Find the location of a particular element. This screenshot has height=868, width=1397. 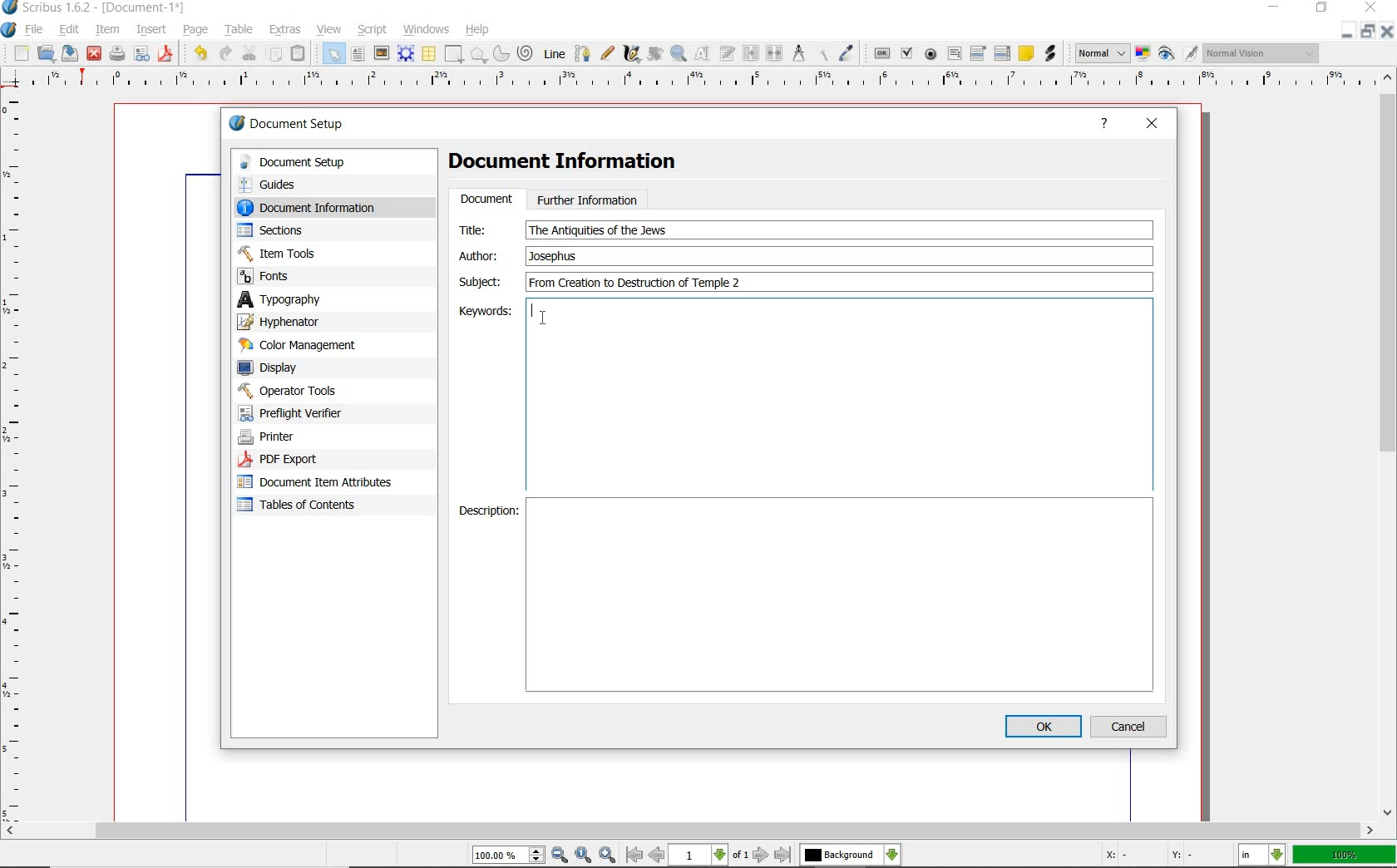

link annotation is located at coordinates (1049, 54).